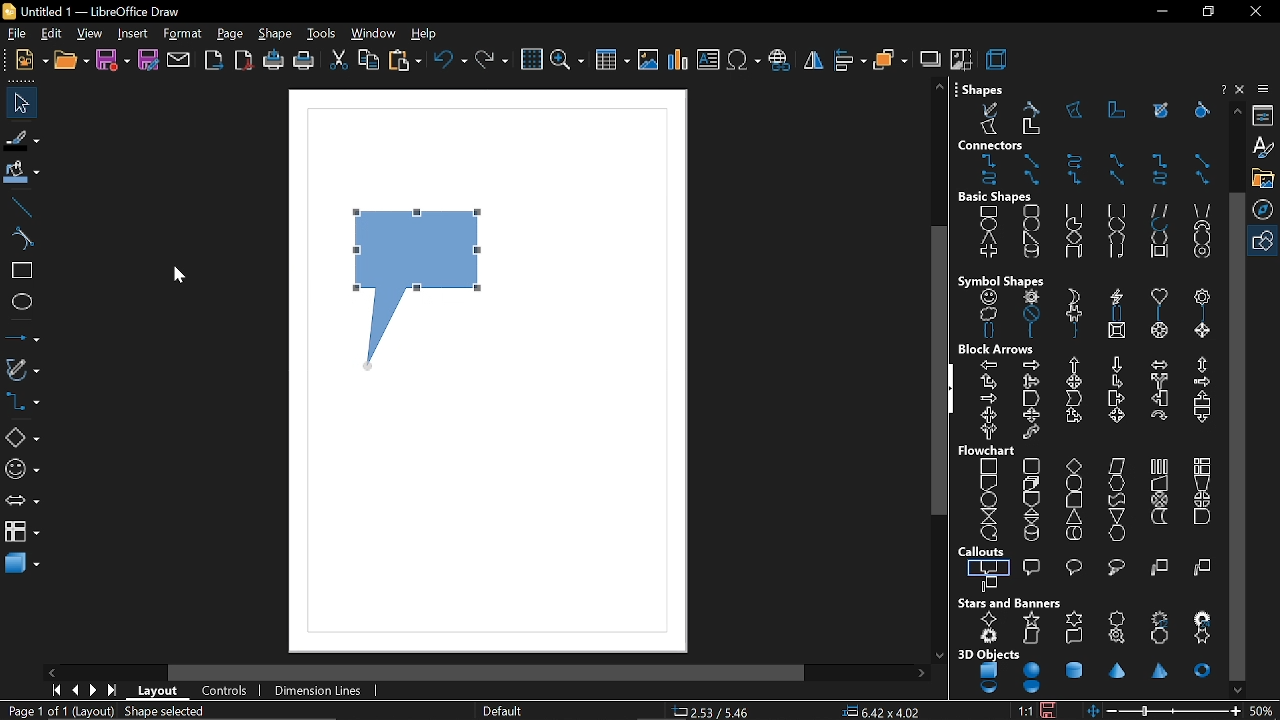 The image size is (1280, 720). What do you see at coordinates (450, 61) in the screenshot?
I see `undo` at bounding box center [450, 61].